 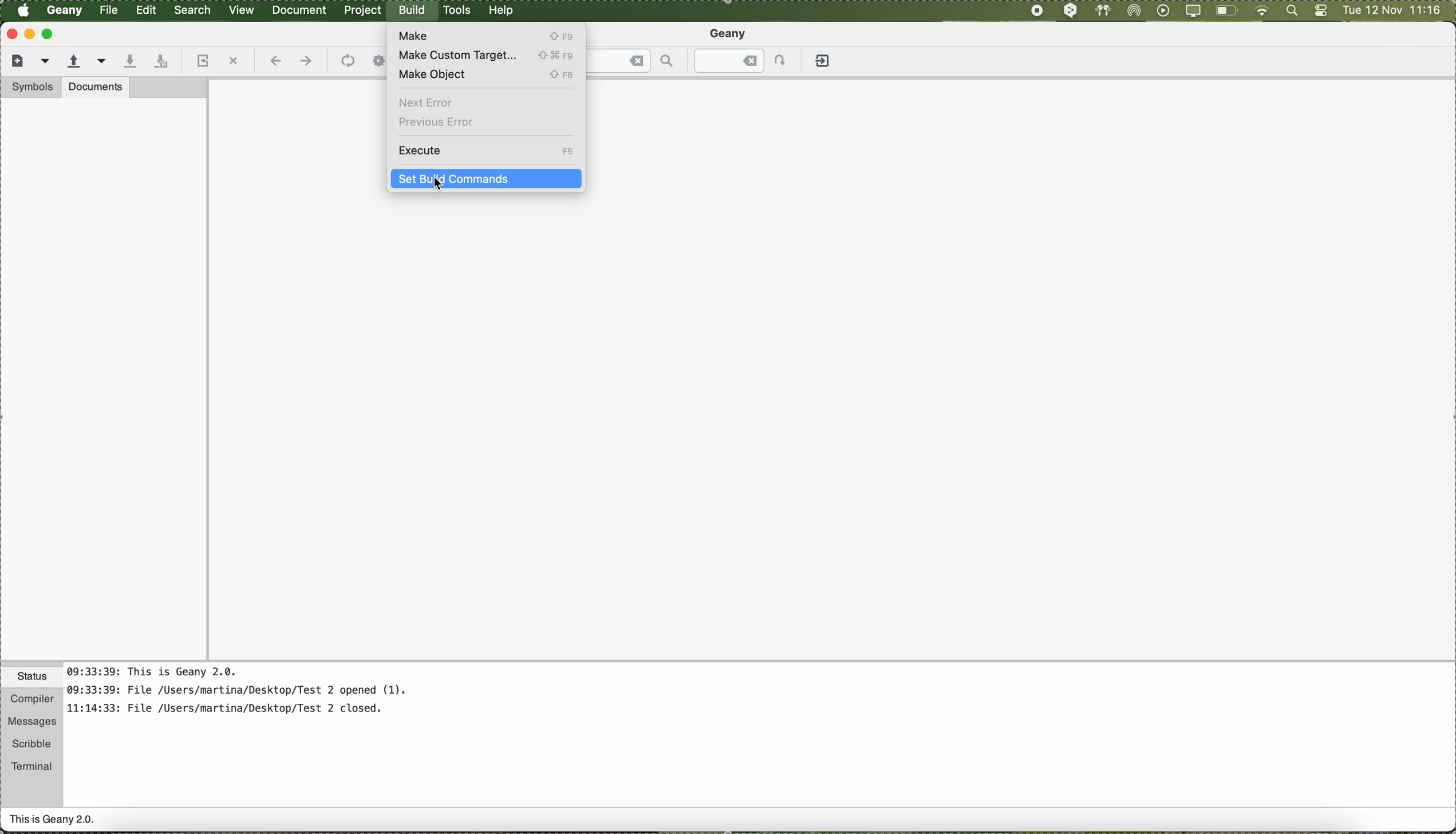 I want to click on close program, so click(x=10, y=33).